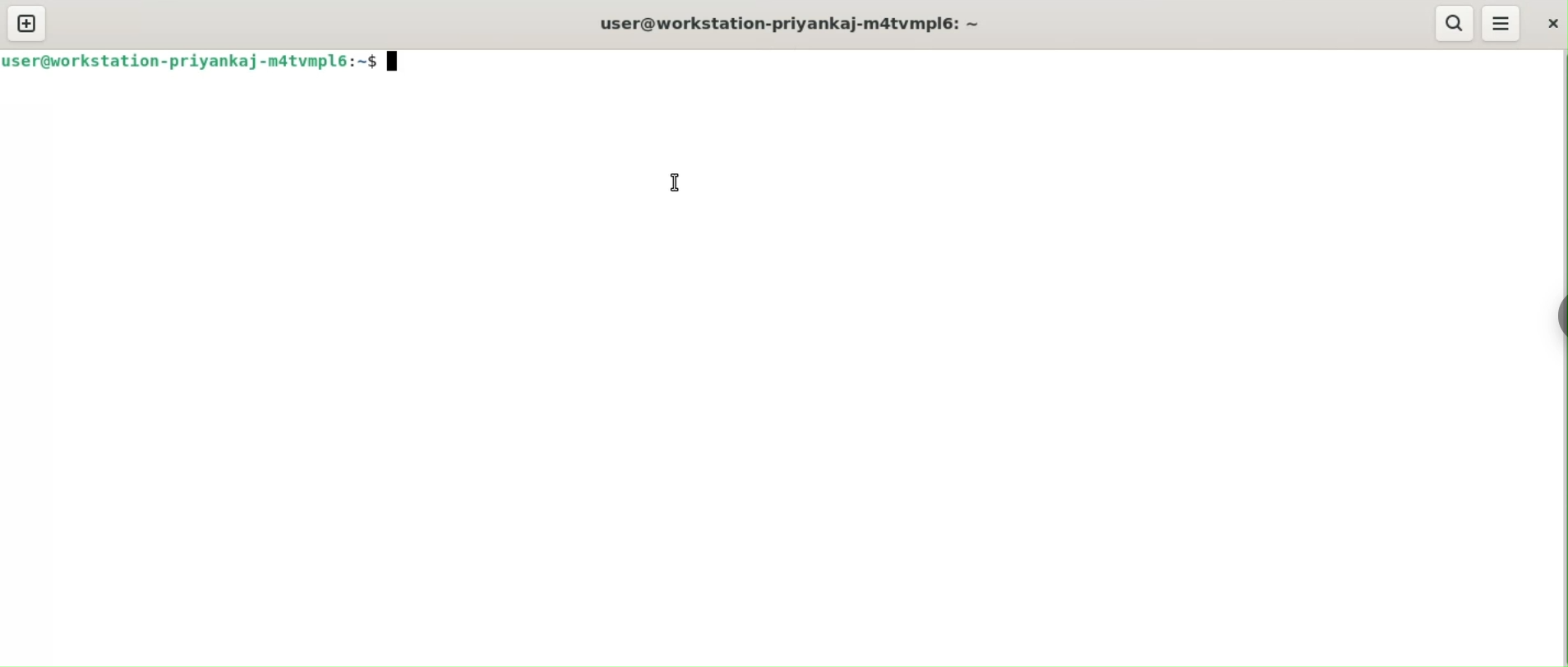 The image size is (1568, 667). I want to click on new tab, so click(26, 25).